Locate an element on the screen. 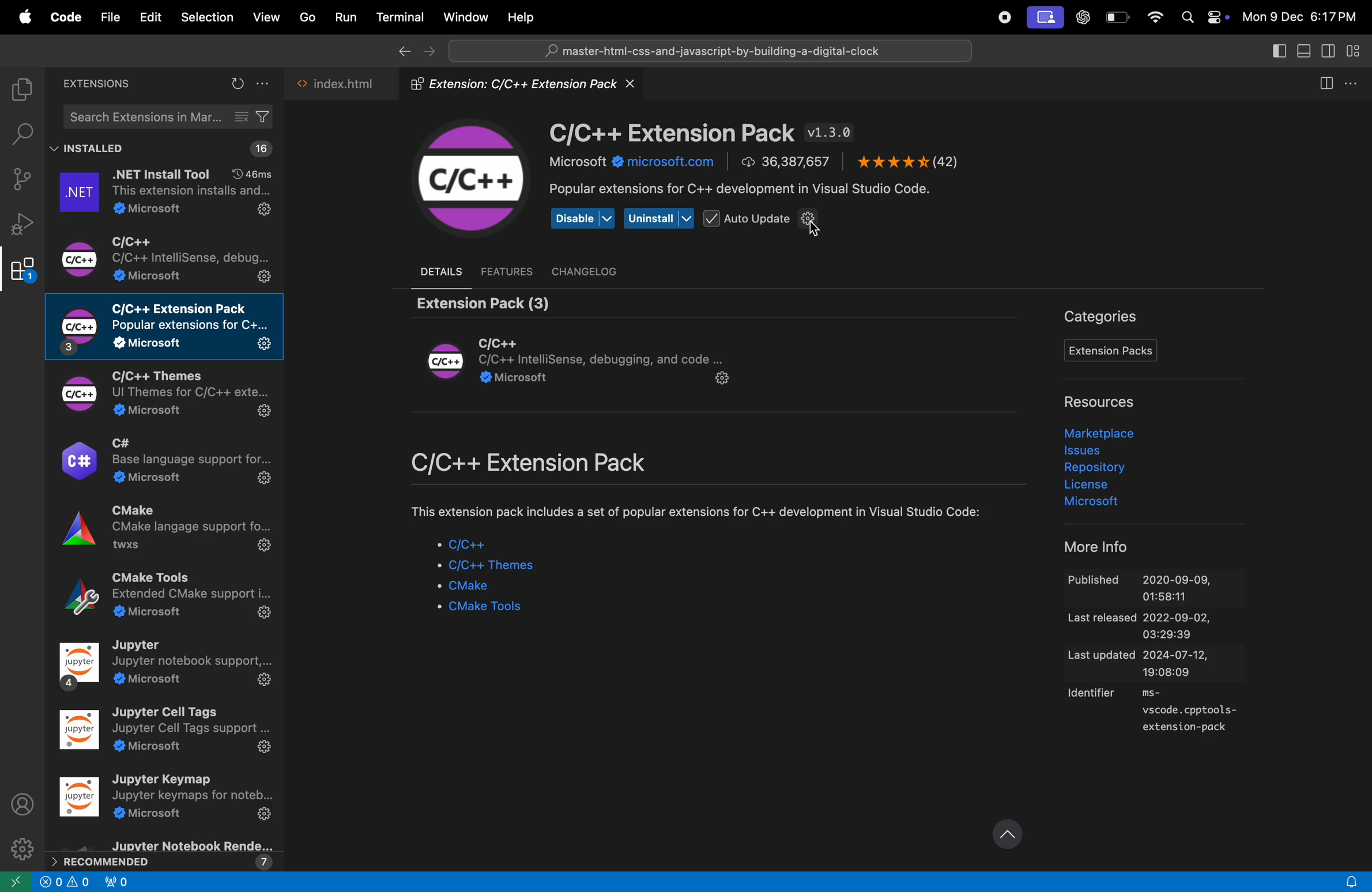  Window is located at coordinates (463, 16).